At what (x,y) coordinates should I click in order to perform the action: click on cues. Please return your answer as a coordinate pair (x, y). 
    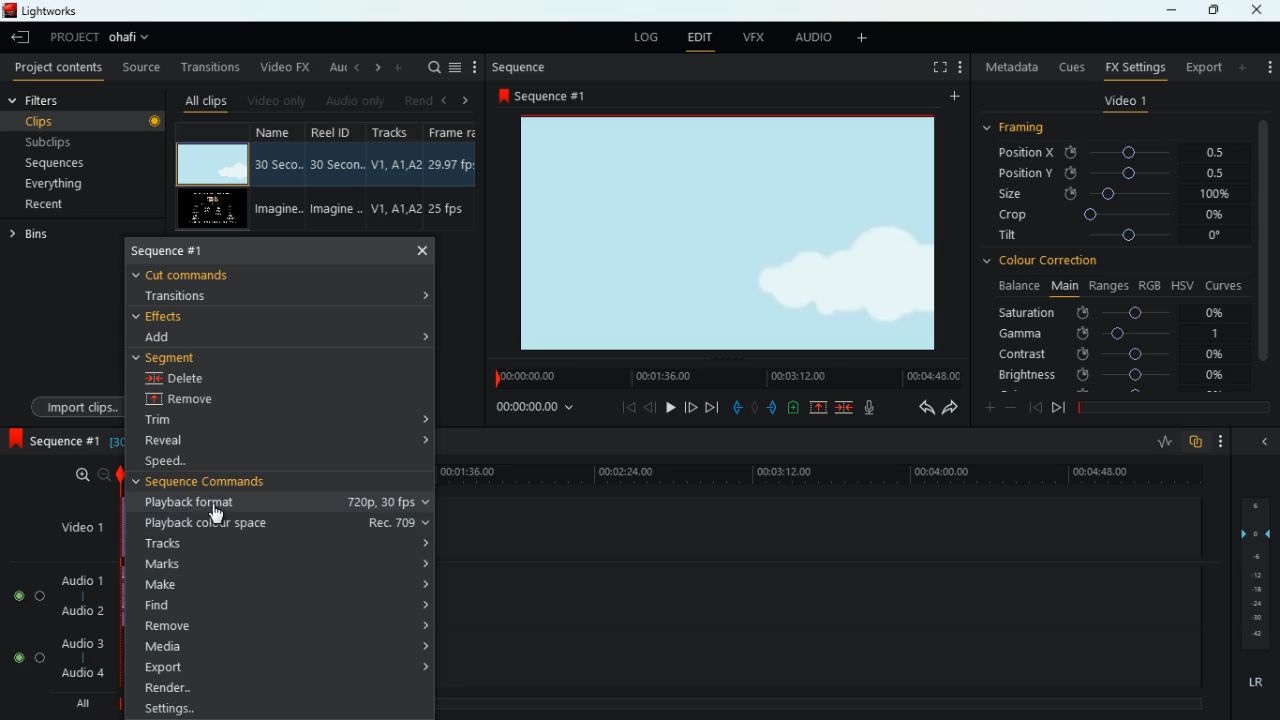
    Looking at the image, I should click on (1066, 66).